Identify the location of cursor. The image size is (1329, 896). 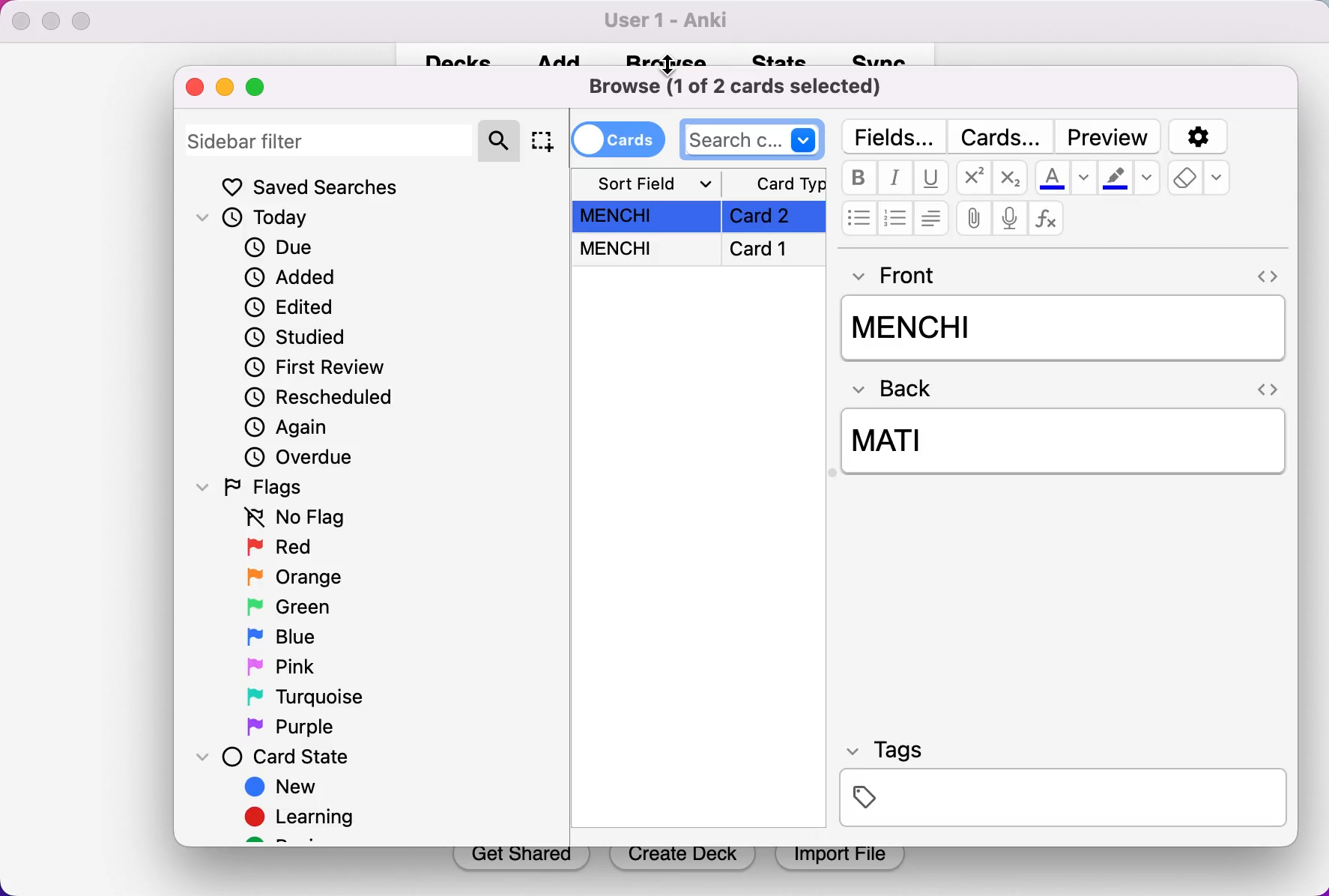
(671, 63).